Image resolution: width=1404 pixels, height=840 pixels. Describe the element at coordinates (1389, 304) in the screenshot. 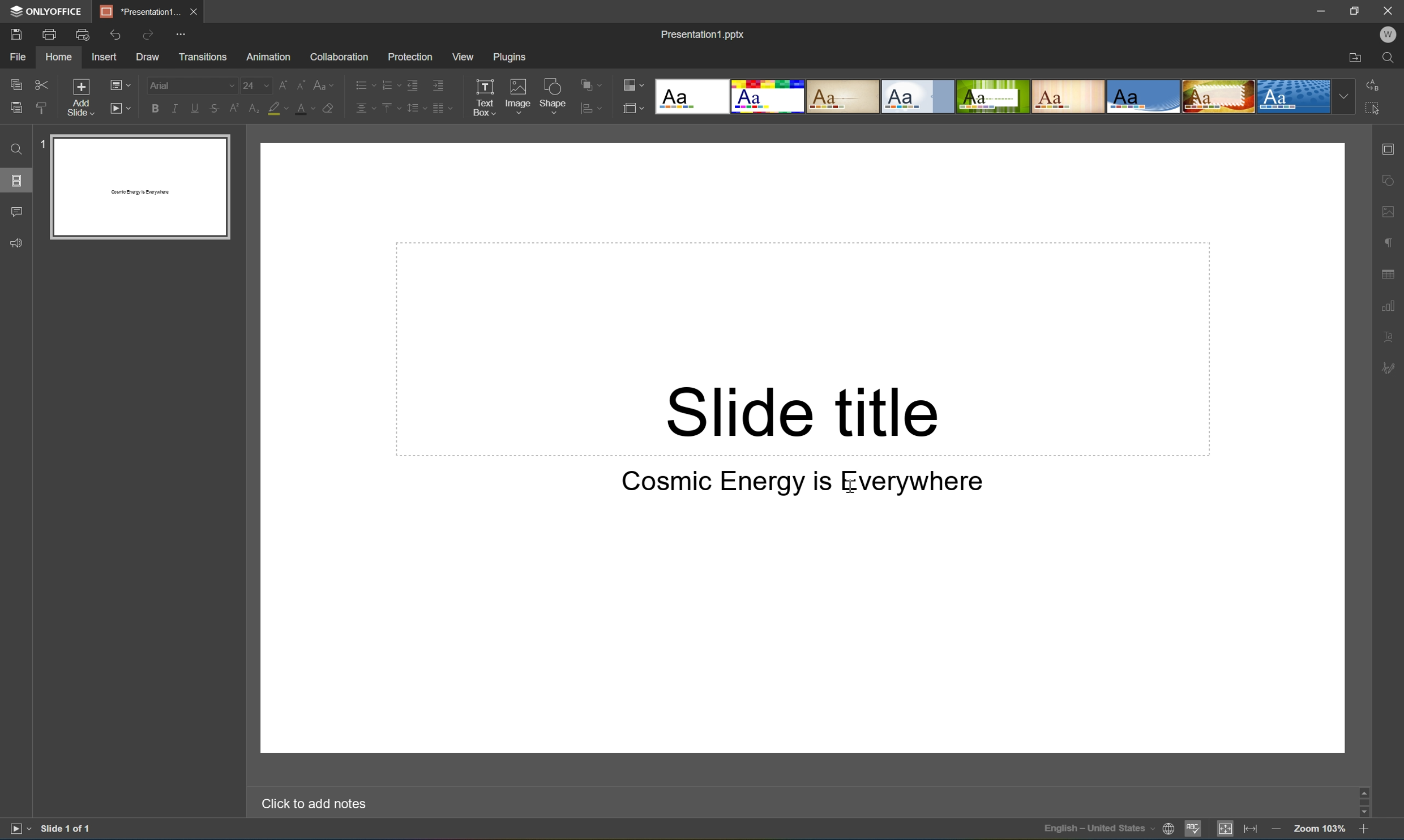

I see `Chart settings` at that location.